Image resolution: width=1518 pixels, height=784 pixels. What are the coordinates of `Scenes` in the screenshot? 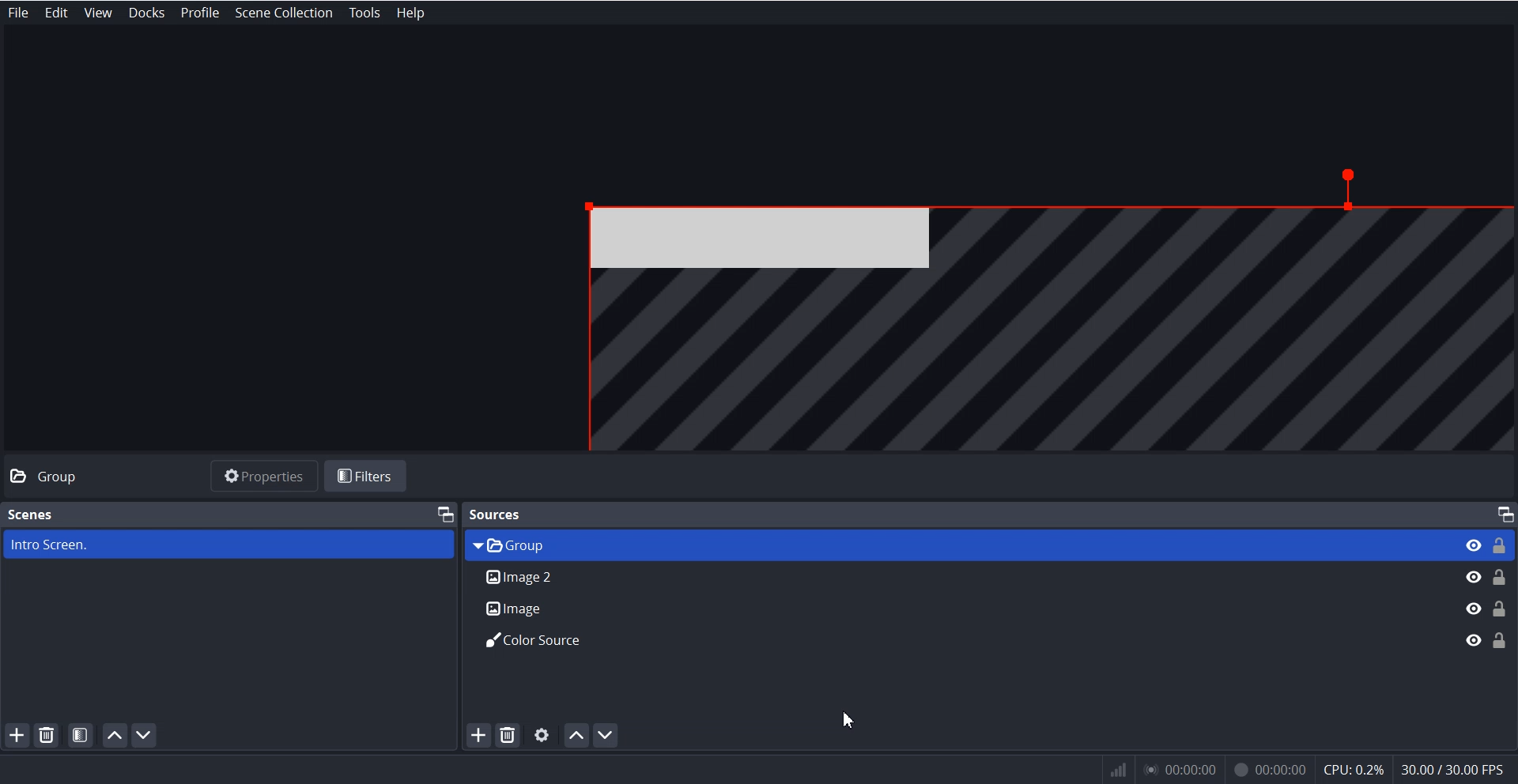 It's located at (30, 514).